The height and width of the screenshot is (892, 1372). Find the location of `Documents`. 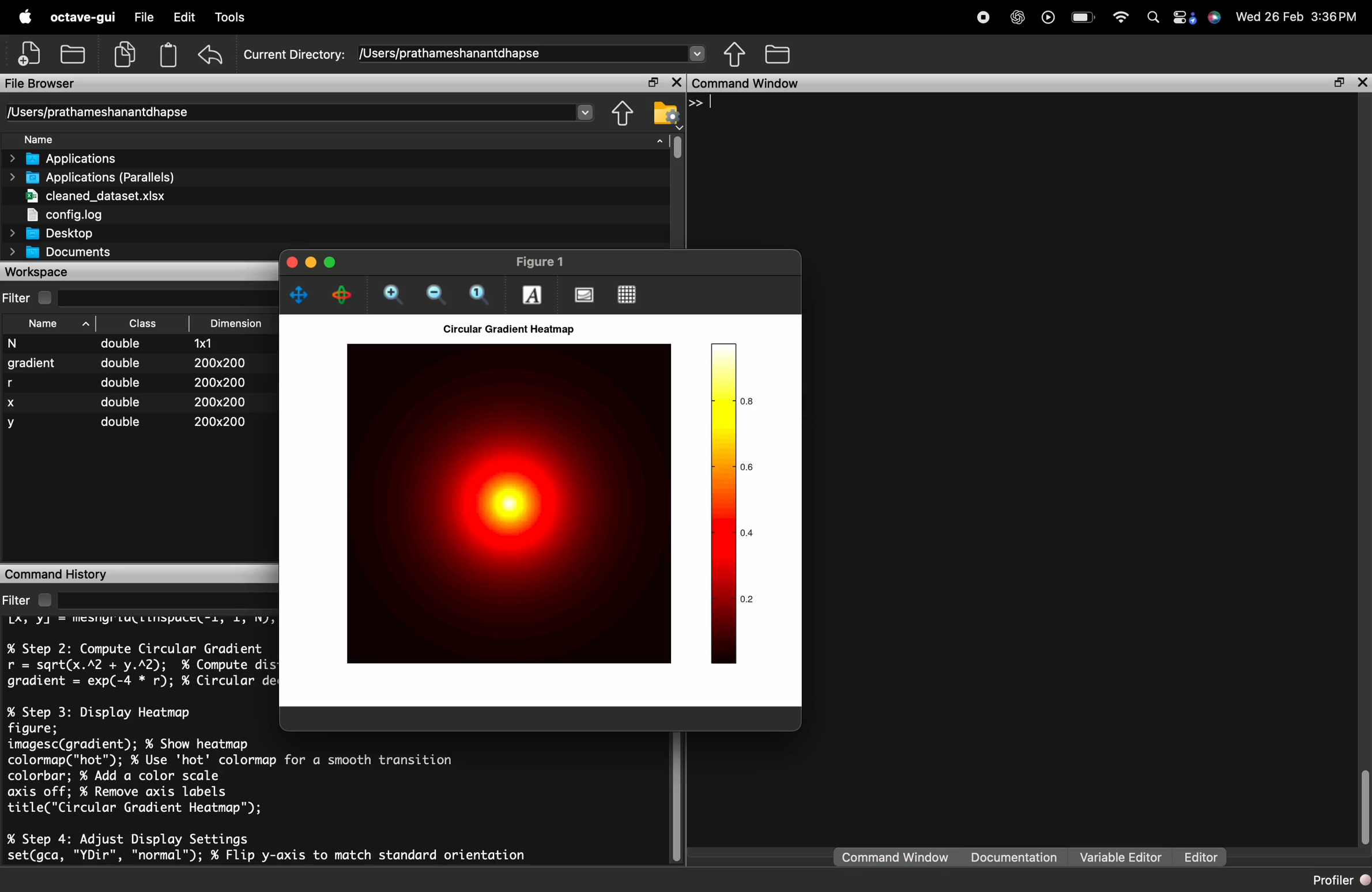

Documents is located at coordinates (58, 252).